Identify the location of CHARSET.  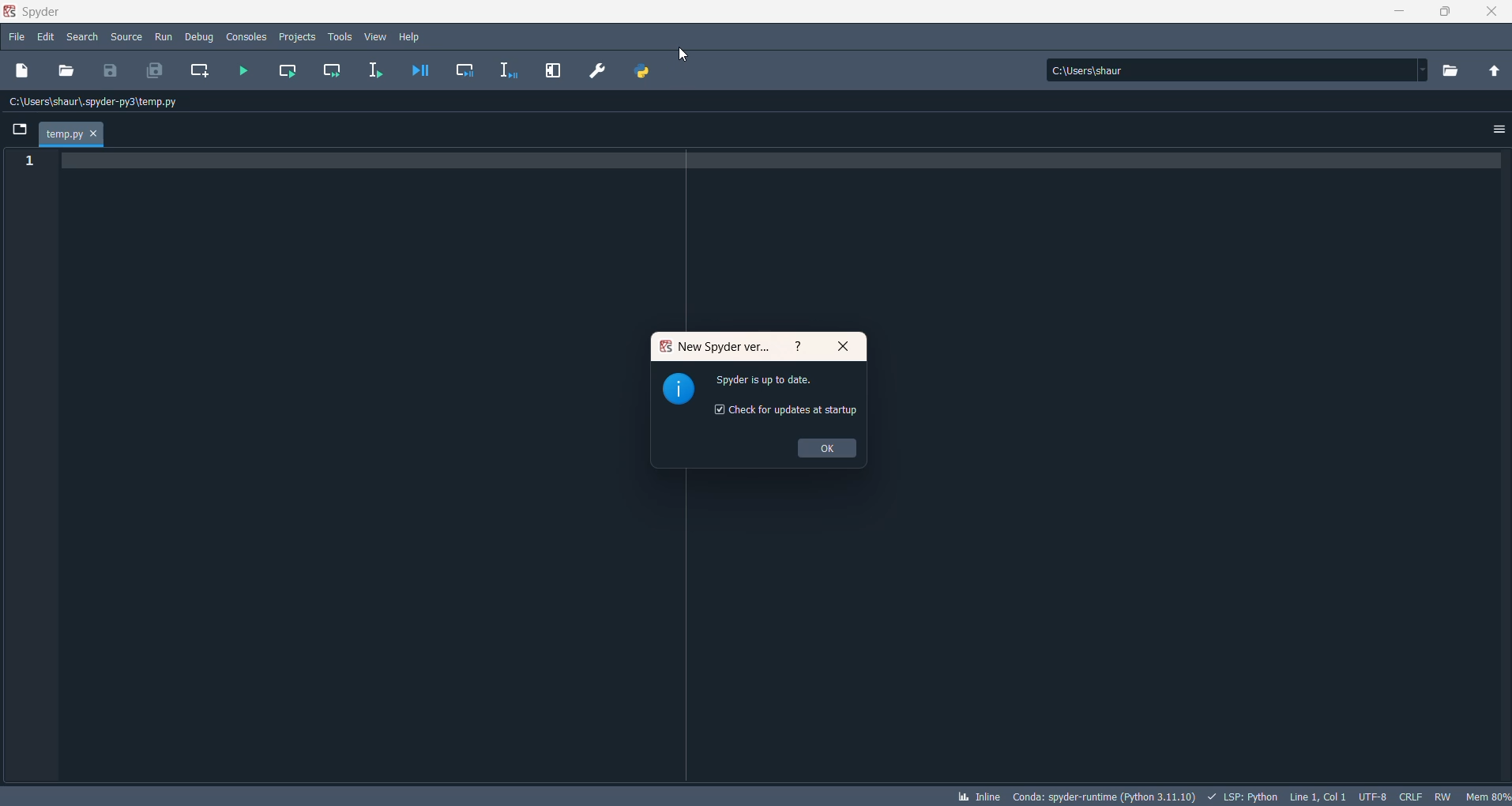
(1371, 795).